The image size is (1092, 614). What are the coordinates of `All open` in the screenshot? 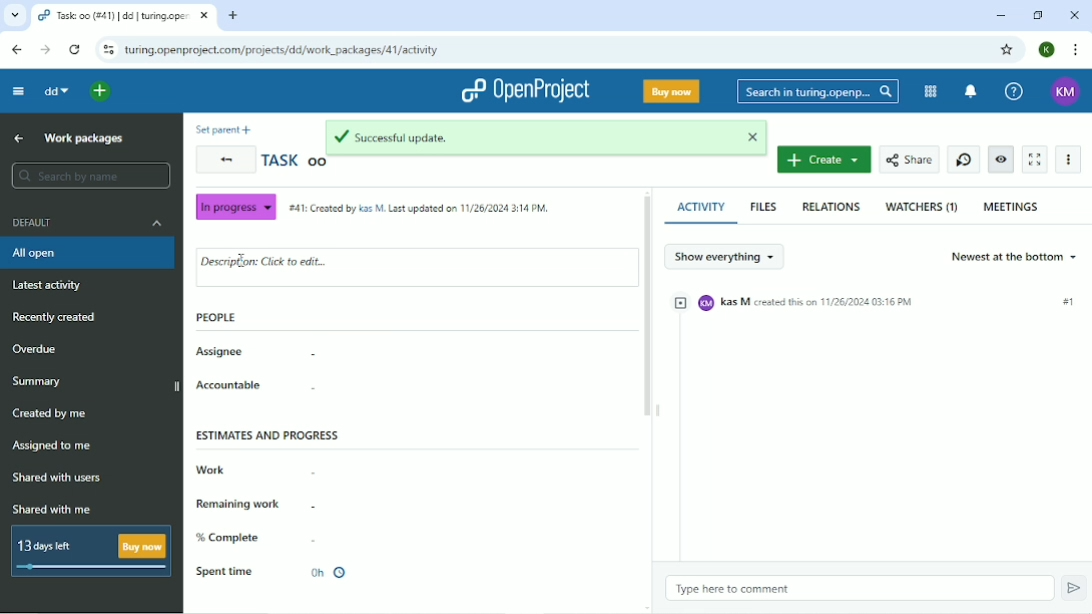 It's located at (87, 254).